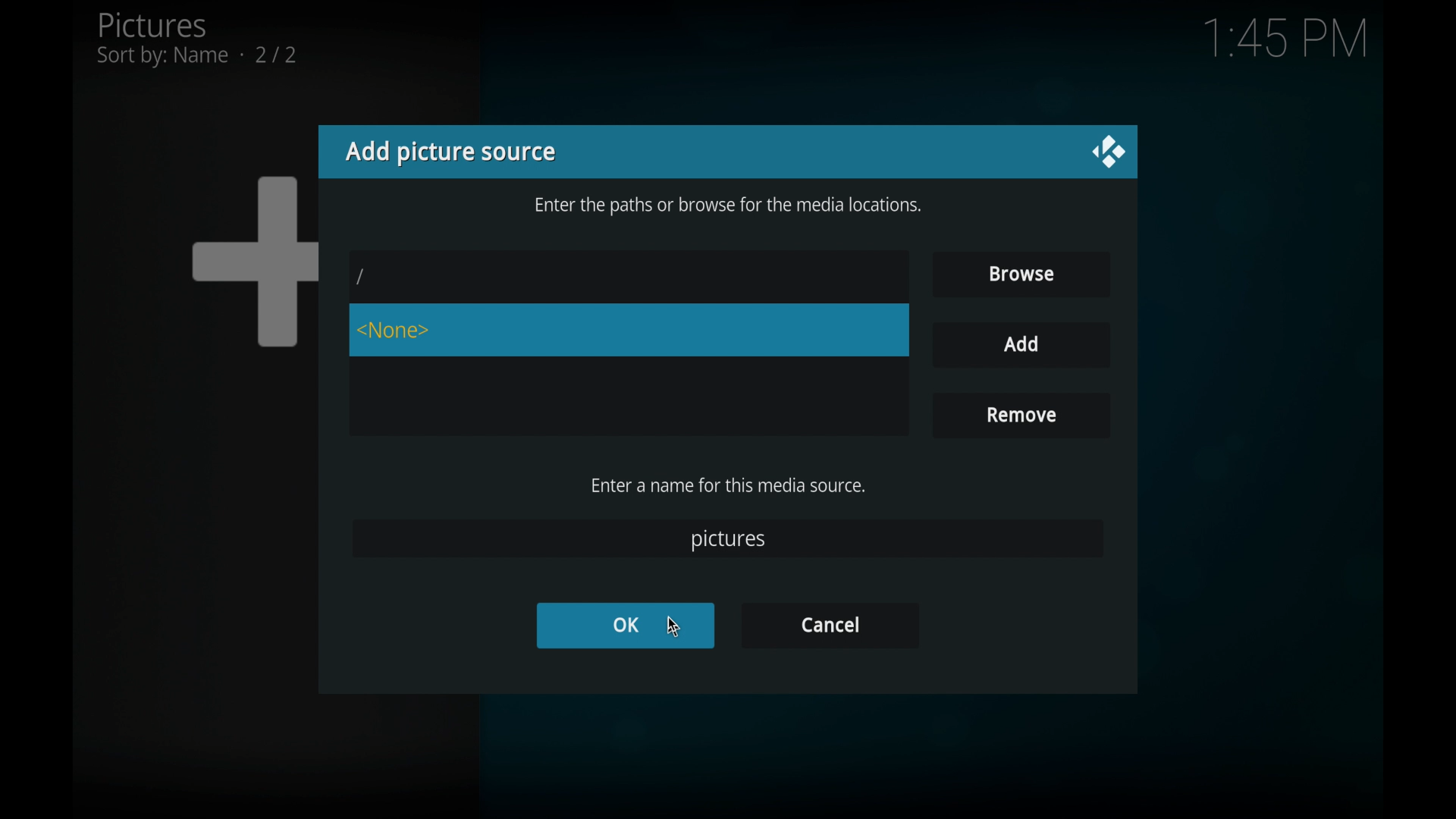  What do you see at coordinates (394, 330) in the screenshot?
I see `none` at bounding box center [394, 330].